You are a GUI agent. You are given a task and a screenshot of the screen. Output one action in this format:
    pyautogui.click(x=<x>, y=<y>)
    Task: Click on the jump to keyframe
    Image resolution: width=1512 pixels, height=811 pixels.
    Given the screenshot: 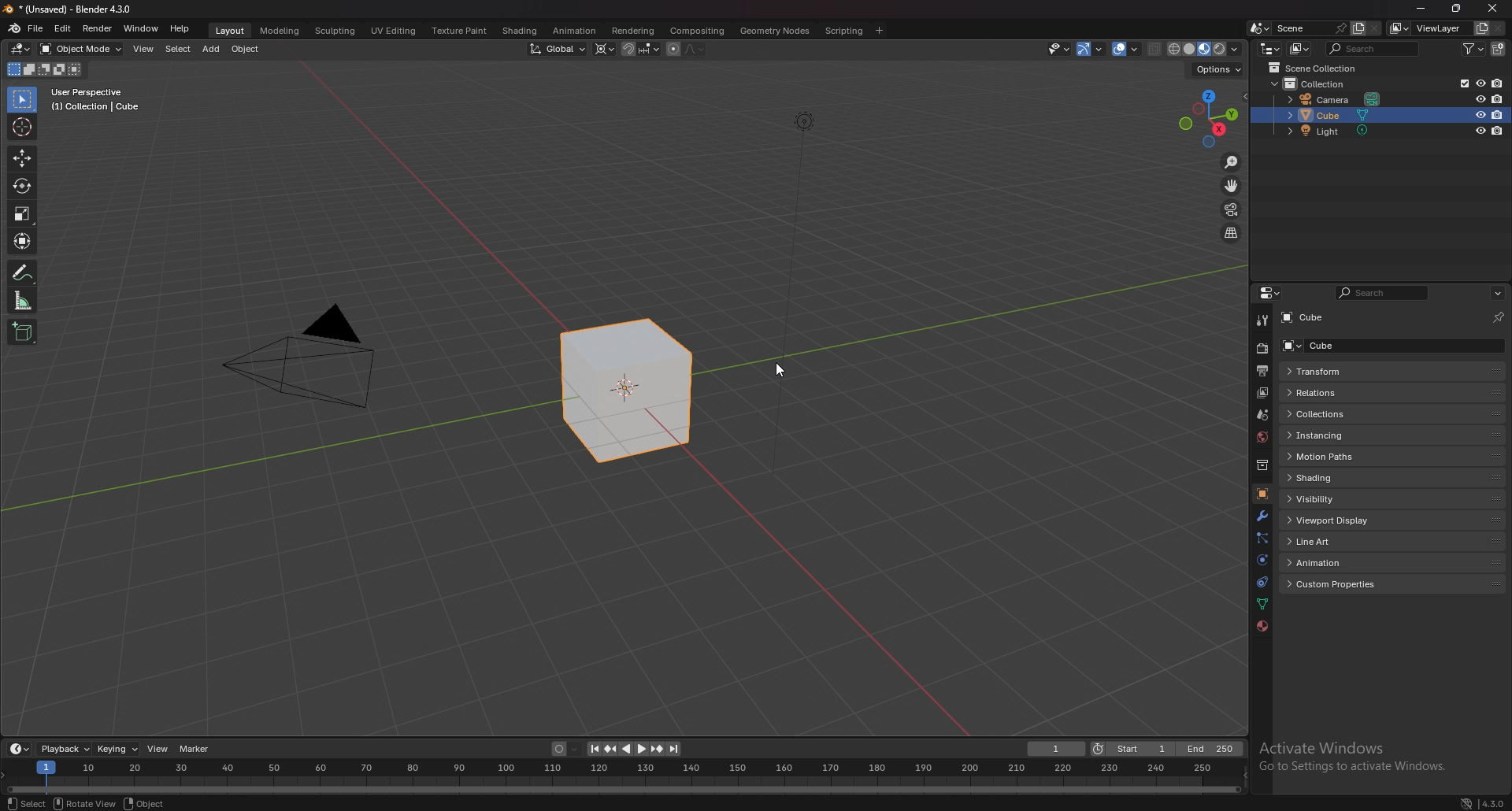 What is the action you would take?
    pyautogui.click(x=612, y=749)
    